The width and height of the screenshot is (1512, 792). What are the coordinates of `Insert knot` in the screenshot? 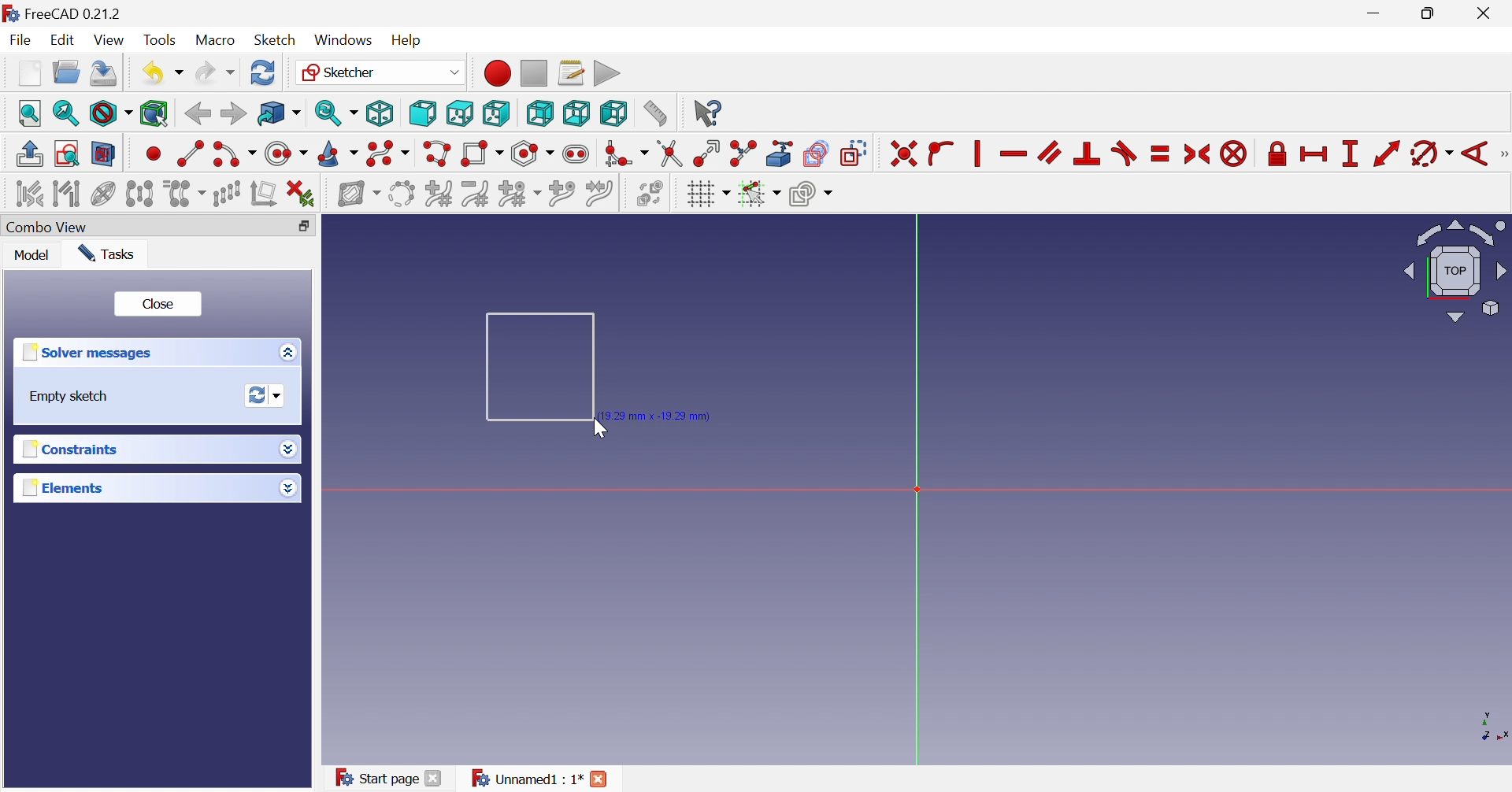 It's located at (562, 196).